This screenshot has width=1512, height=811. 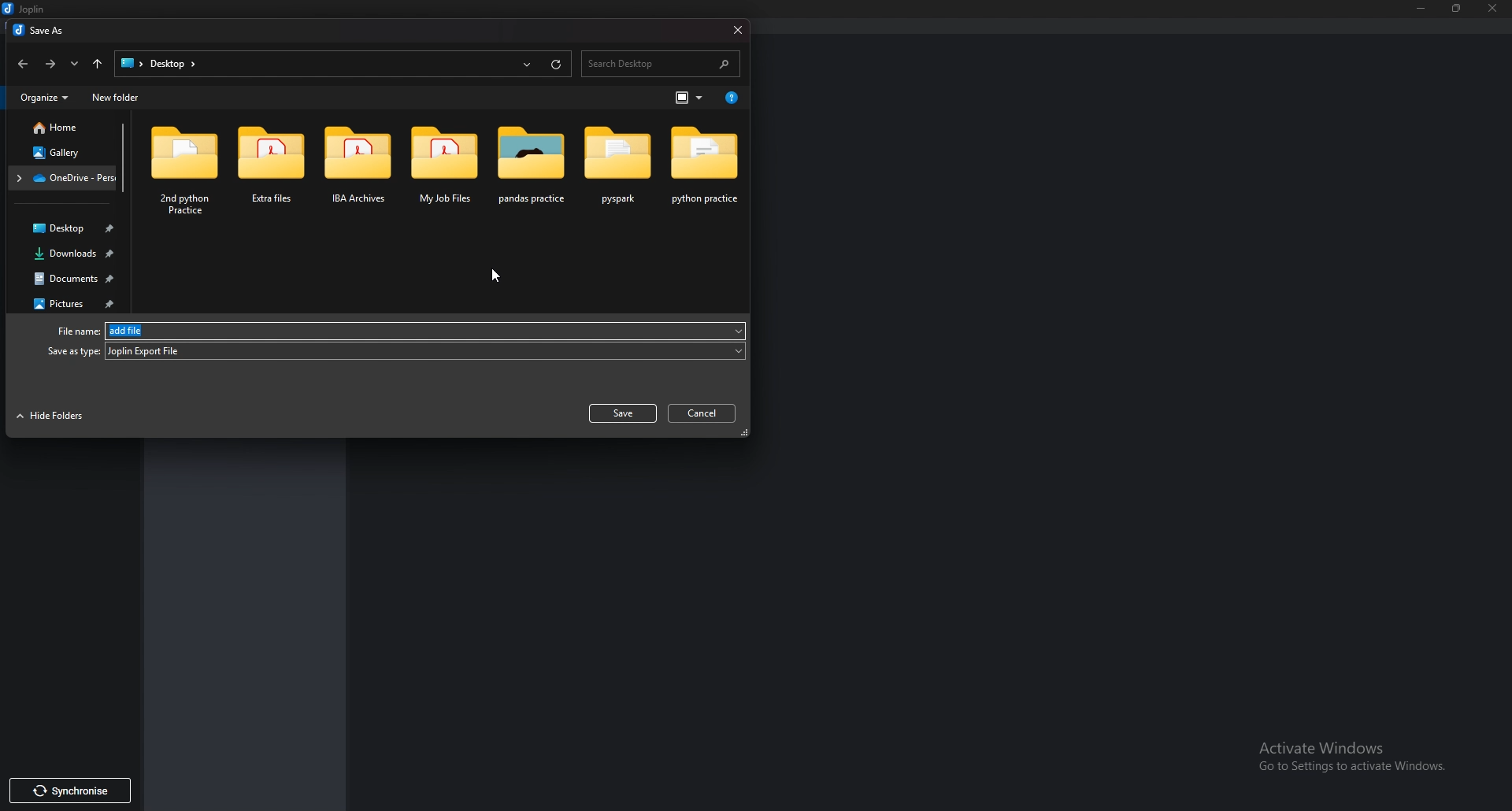 I want to click on Hide folders, so click(x=54, y=415).